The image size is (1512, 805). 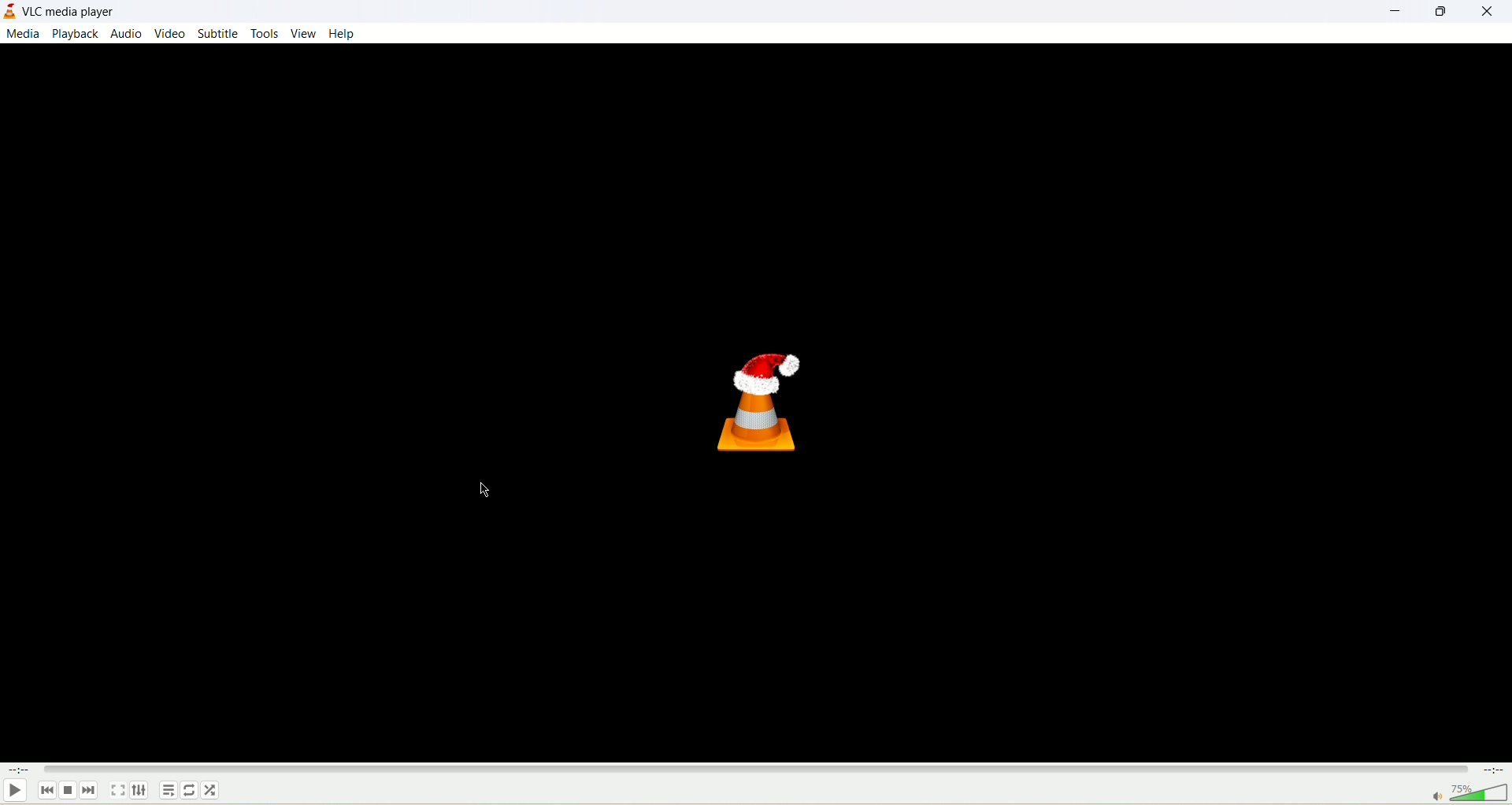 What do you see at coordinates (119, 792) in the screenshot?
I see `toggle fullscreen` at bounding box center [119, 792].